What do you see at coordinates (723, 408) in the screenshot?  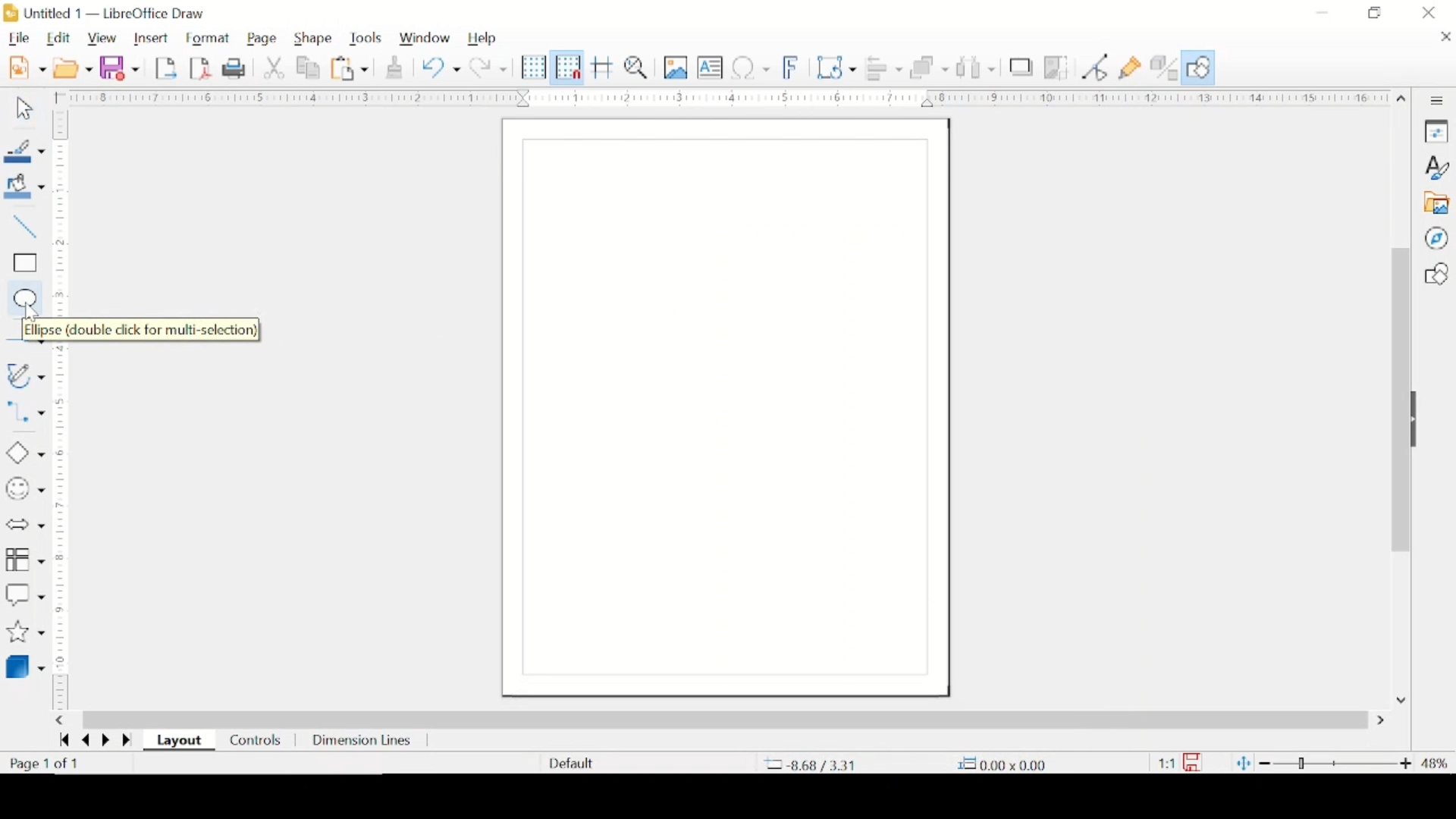 I see `blank canvas` at bounding box center [723, 408].